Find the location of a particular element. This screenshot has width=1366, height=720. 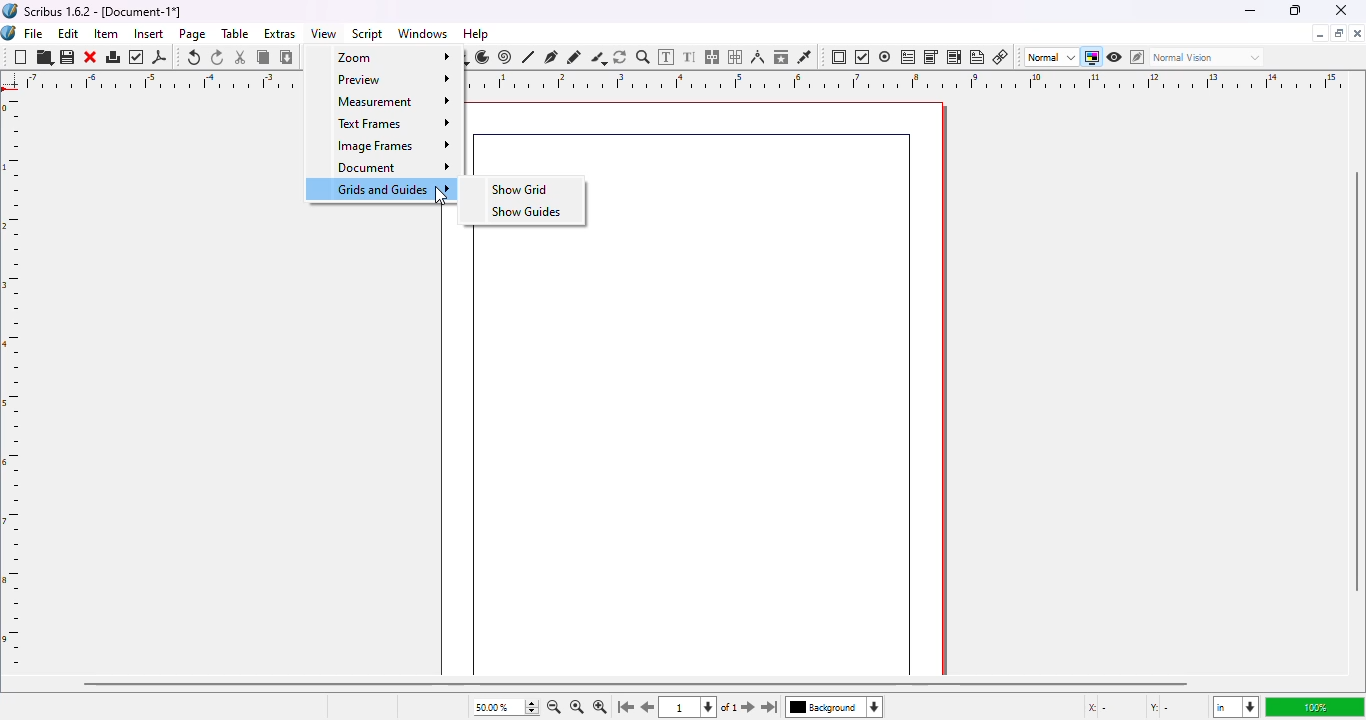

zoom in and out is located at coordinates (530, 707).